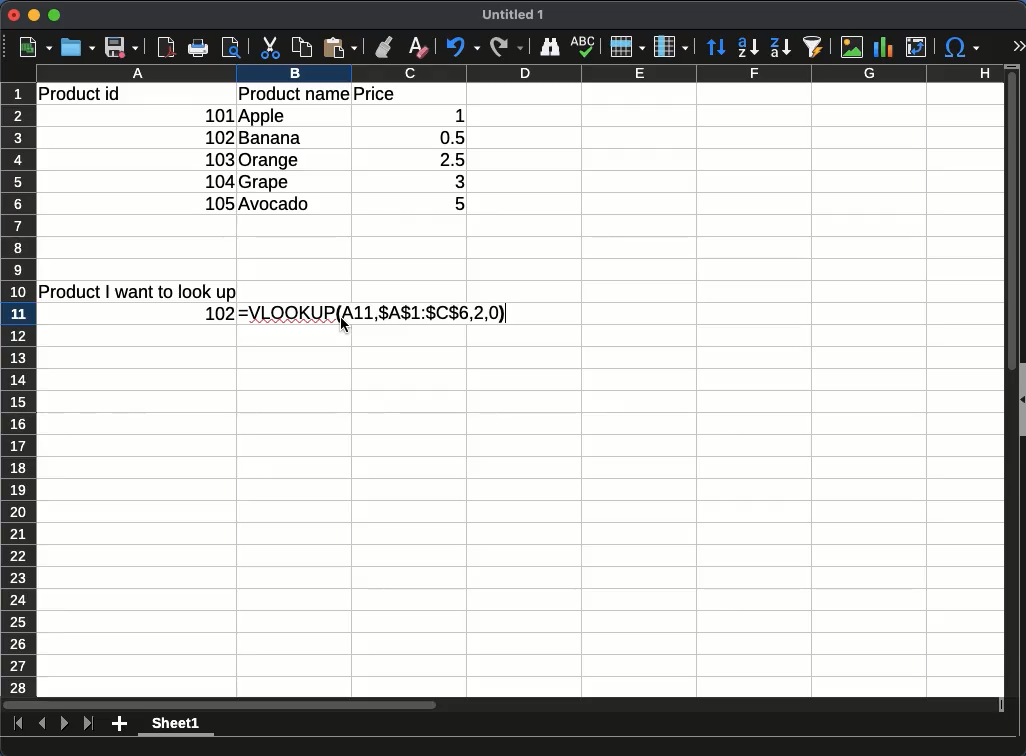 This screenshot has width=1026, height=756. I want to click on minimize, so click(34, 15).